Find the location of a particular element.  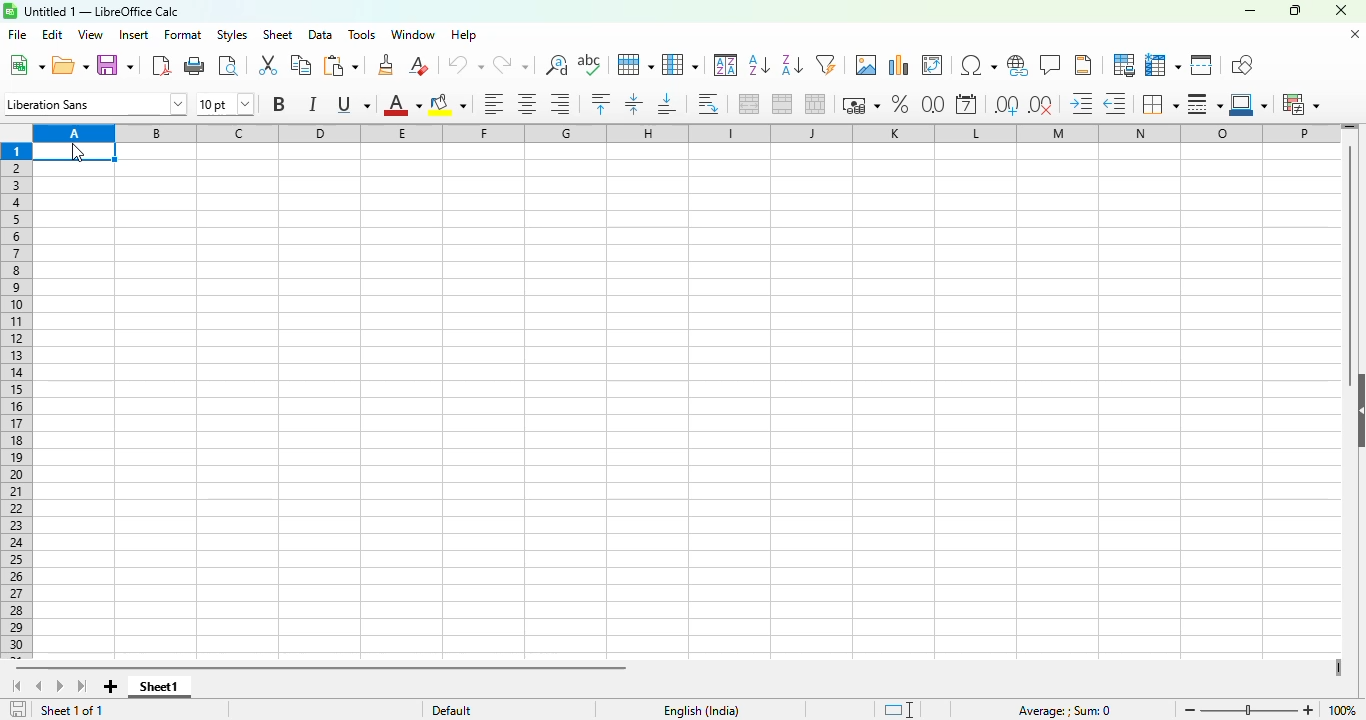

unmerge cells is located at coordinates (814, 104).